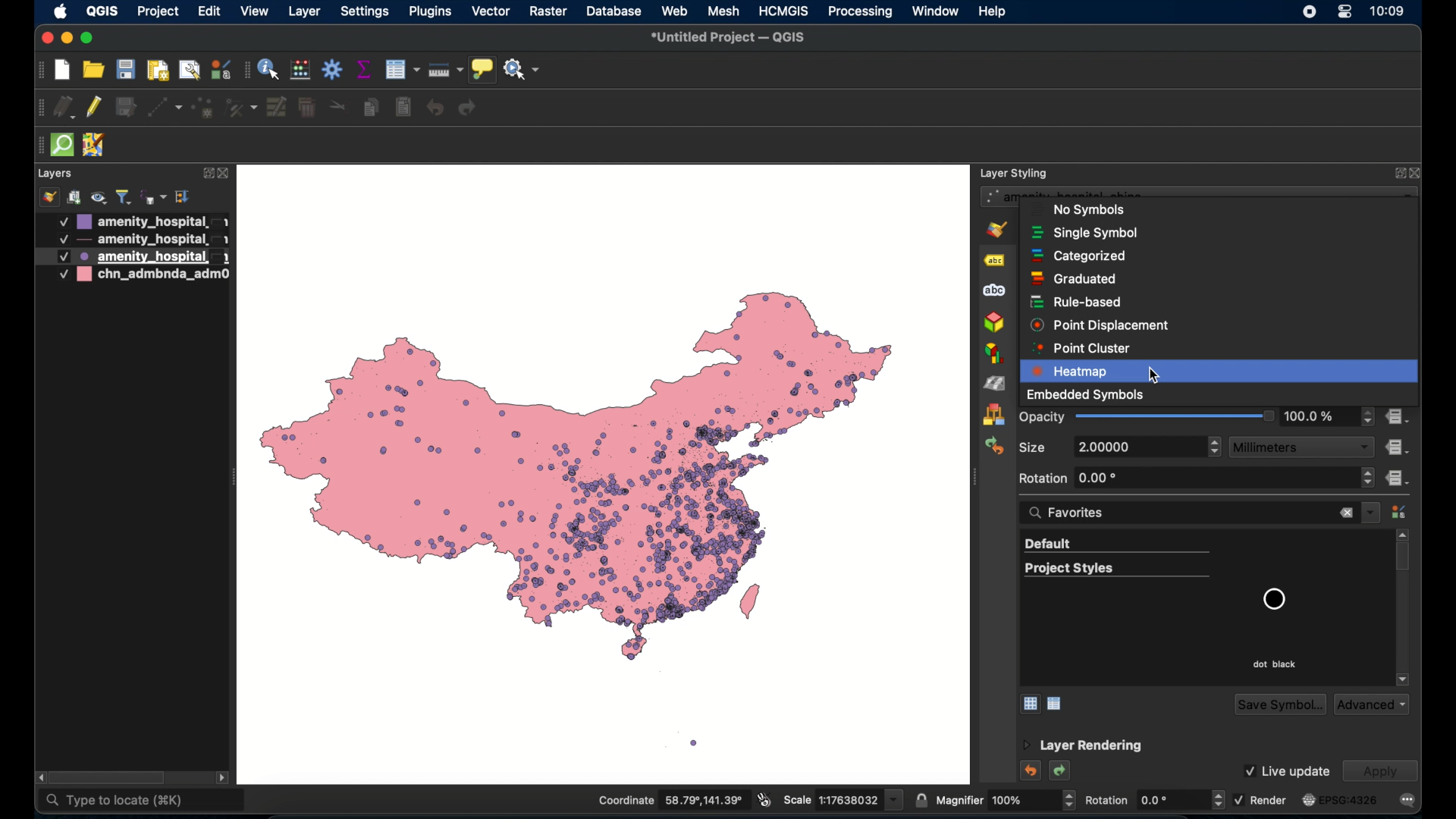  Describe the element at coordinates (366, 12) in the screenshot. I see `settings` at that location.